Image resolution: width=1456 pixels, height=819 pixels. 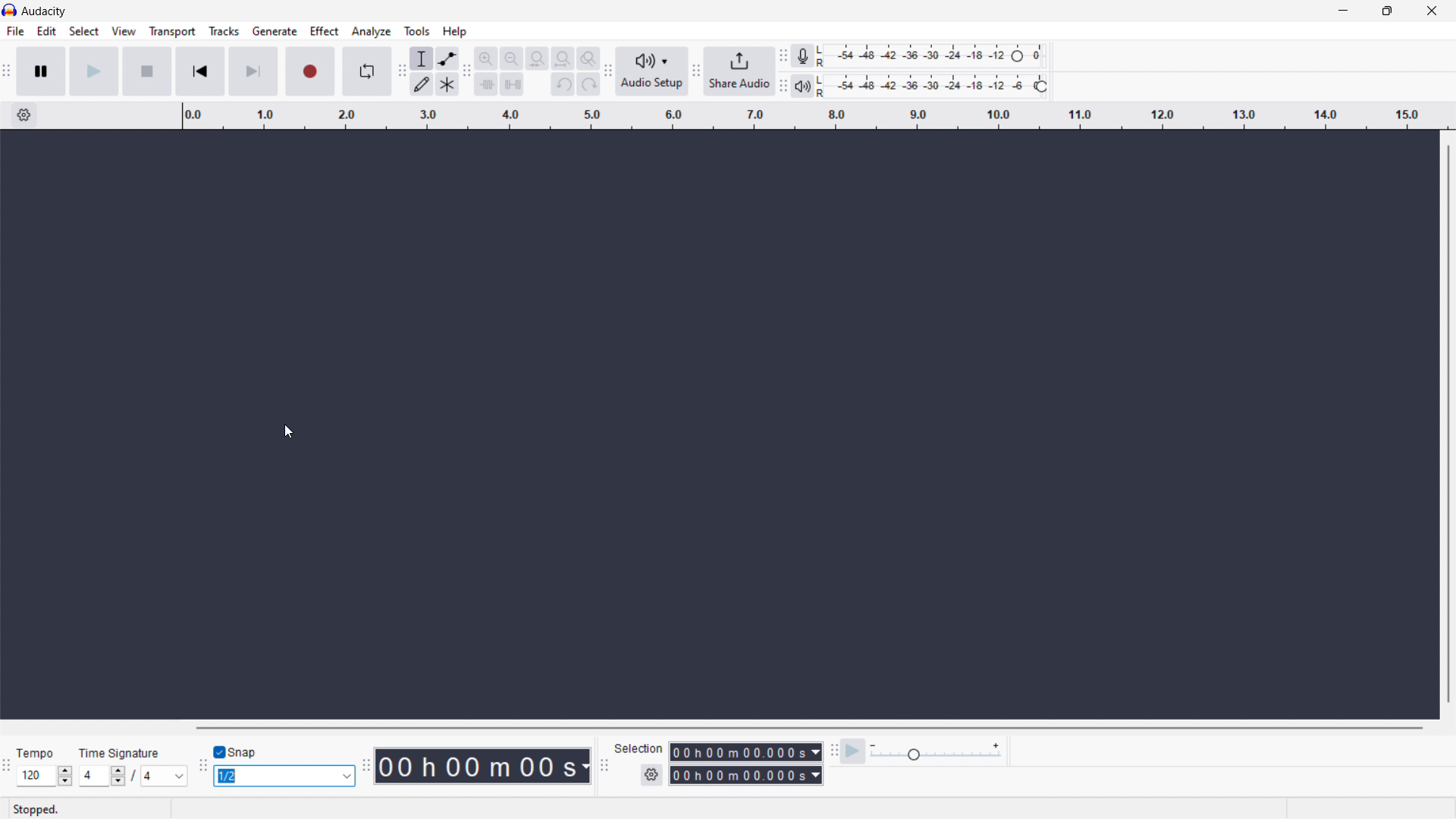 What do you see at coordinates (420, 58) in the screenshot?
I see `selection tool` at bounding box center [420, 58].